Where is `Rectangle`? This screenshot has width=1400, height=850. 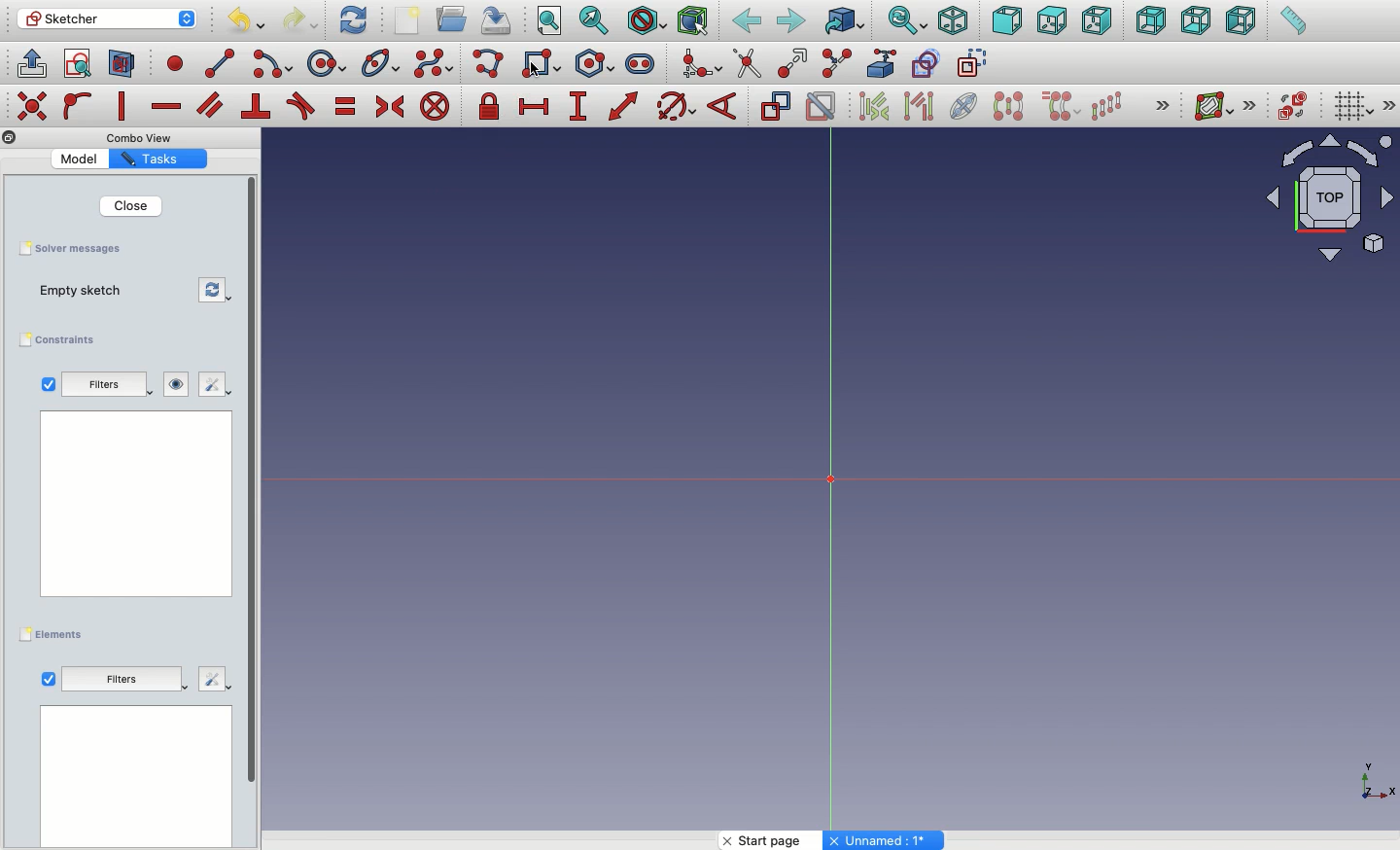 Rectangle is located at coordinates (553, 66).